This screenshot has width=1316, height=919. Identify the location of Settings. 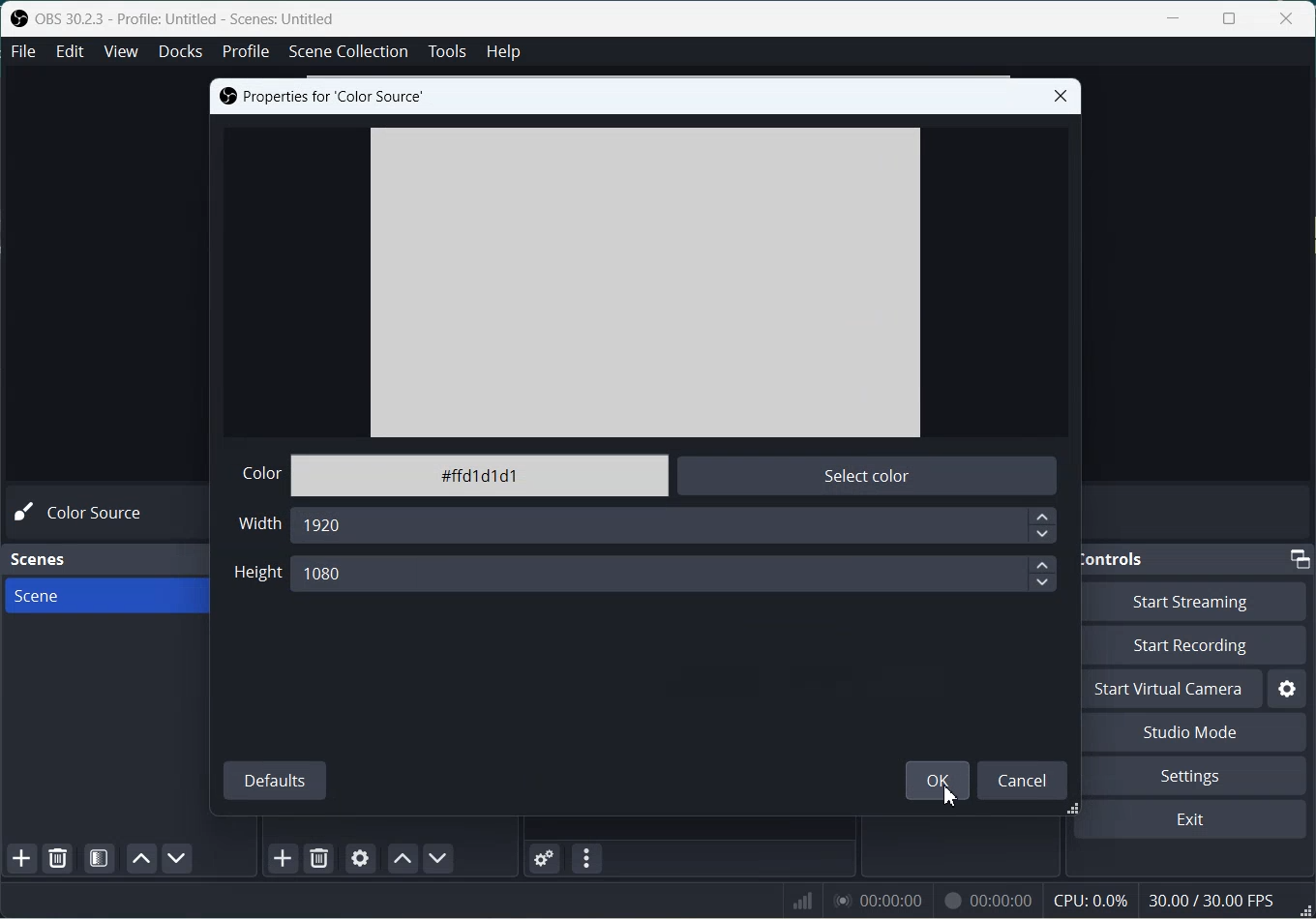
(1198, 775).